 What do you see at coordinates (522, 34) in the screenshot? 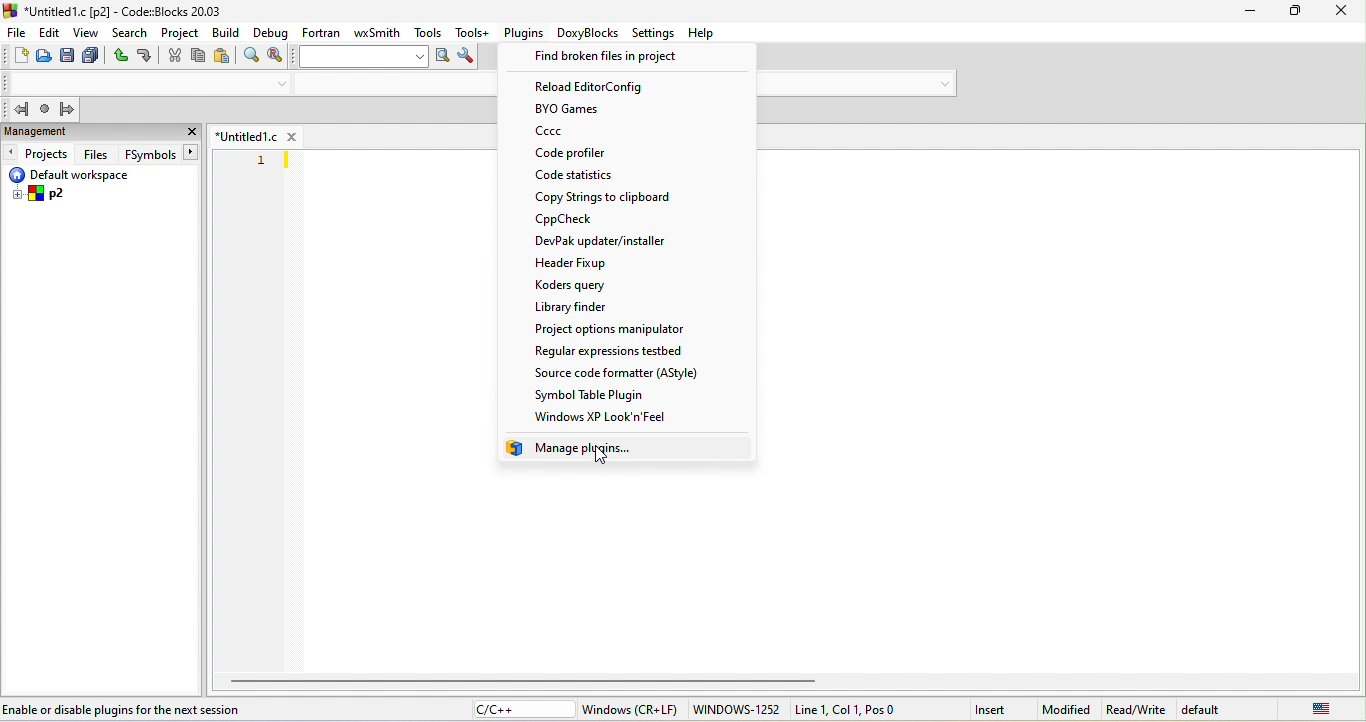
I see `plugins` at bounding box center [522, 34].